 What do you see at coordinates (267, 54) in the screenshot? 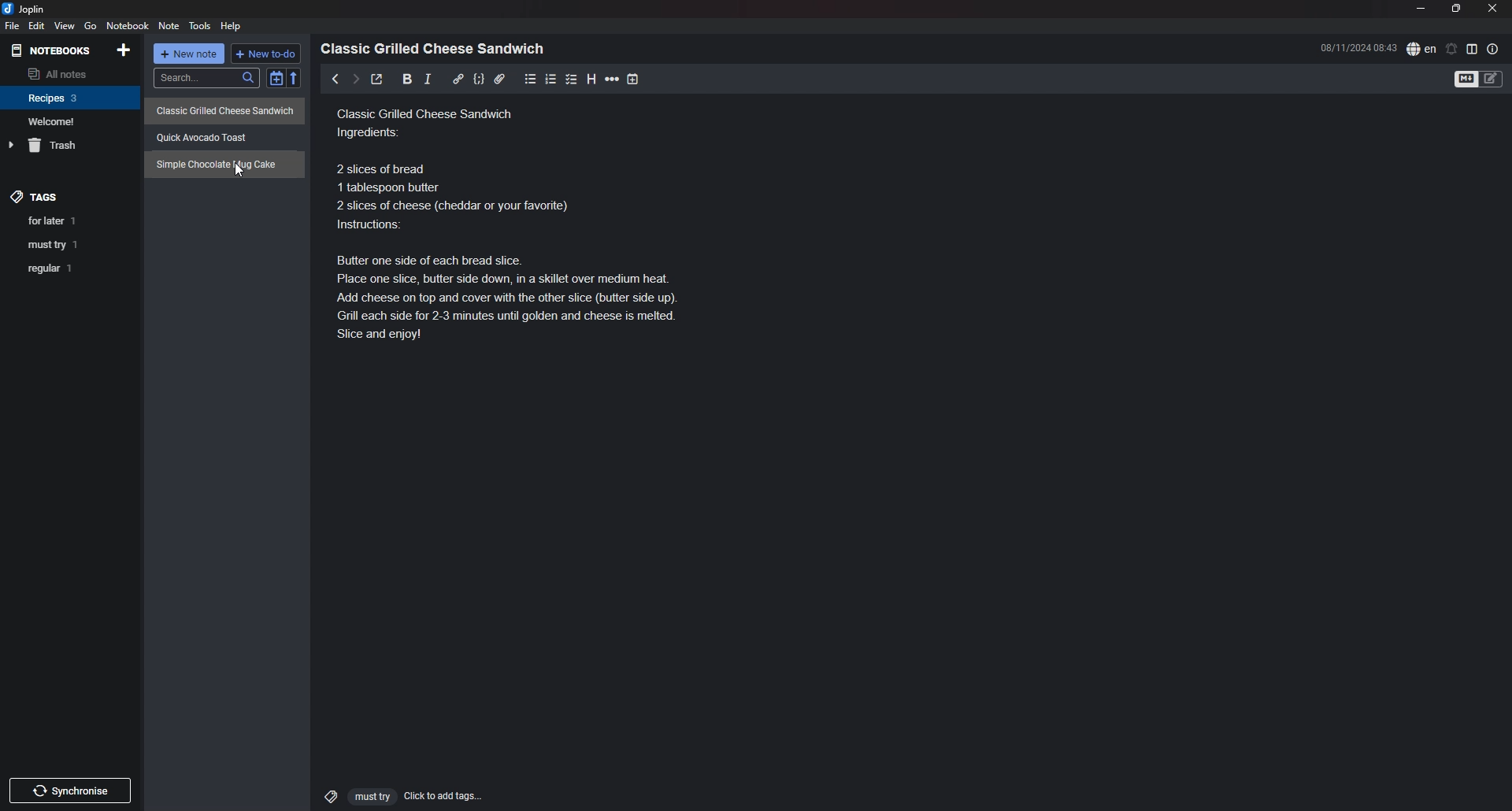
I see `new todo` at bounding box center [267, 54].